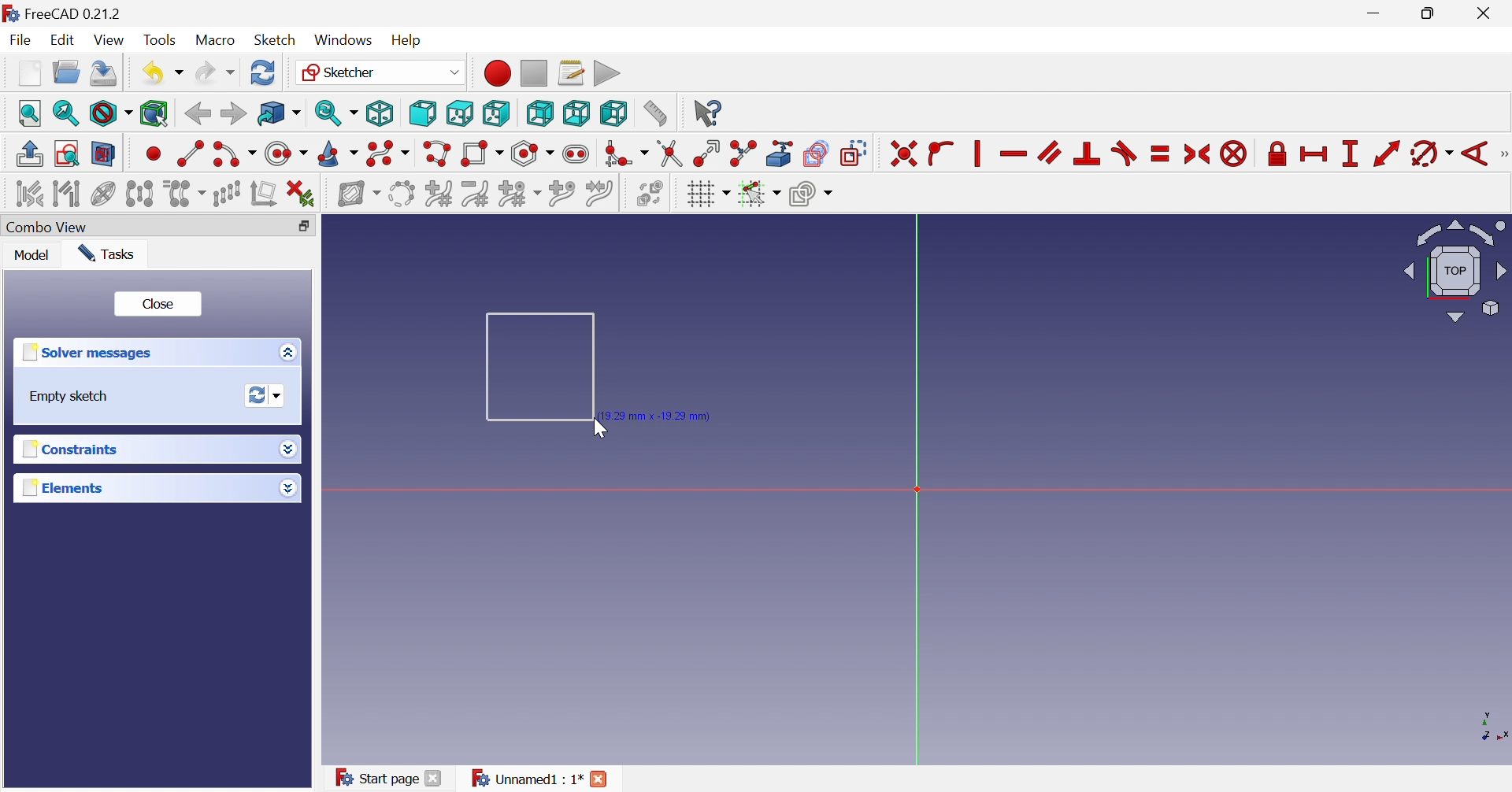  I want to click on Create B-spline, so click(388, 154).